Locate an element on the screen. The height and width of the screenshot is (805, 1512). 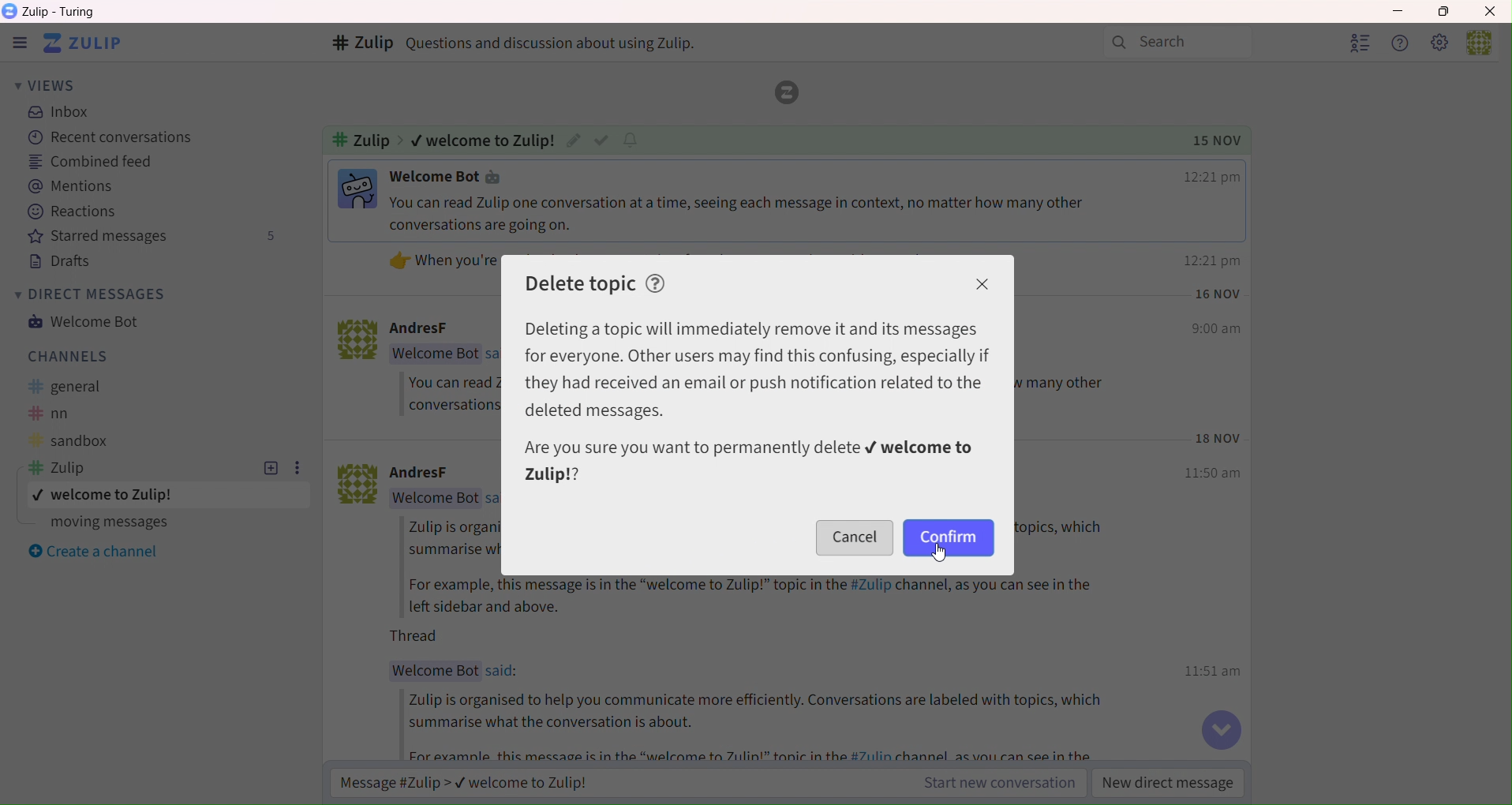
Settings is located at coordinates (295, 469).